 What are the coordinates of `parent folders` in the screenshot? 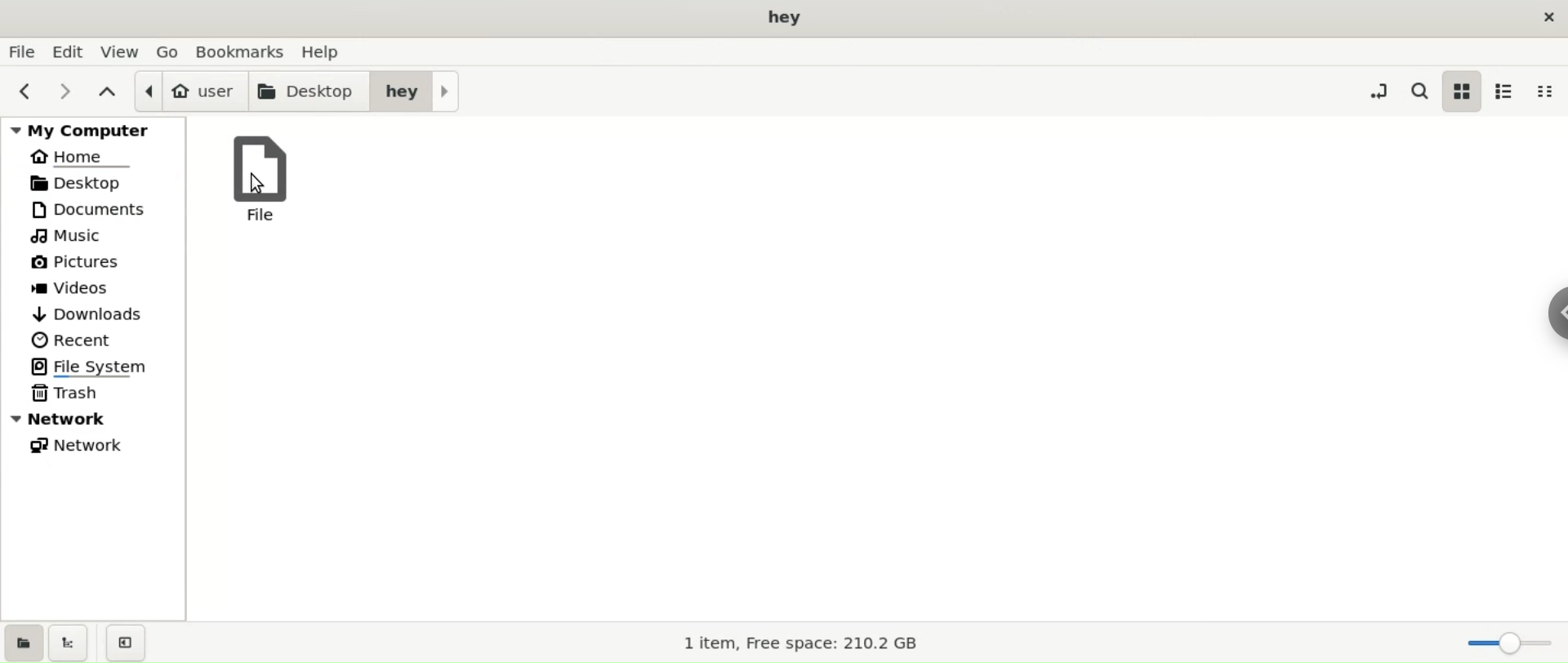 It's located at (109, 93).